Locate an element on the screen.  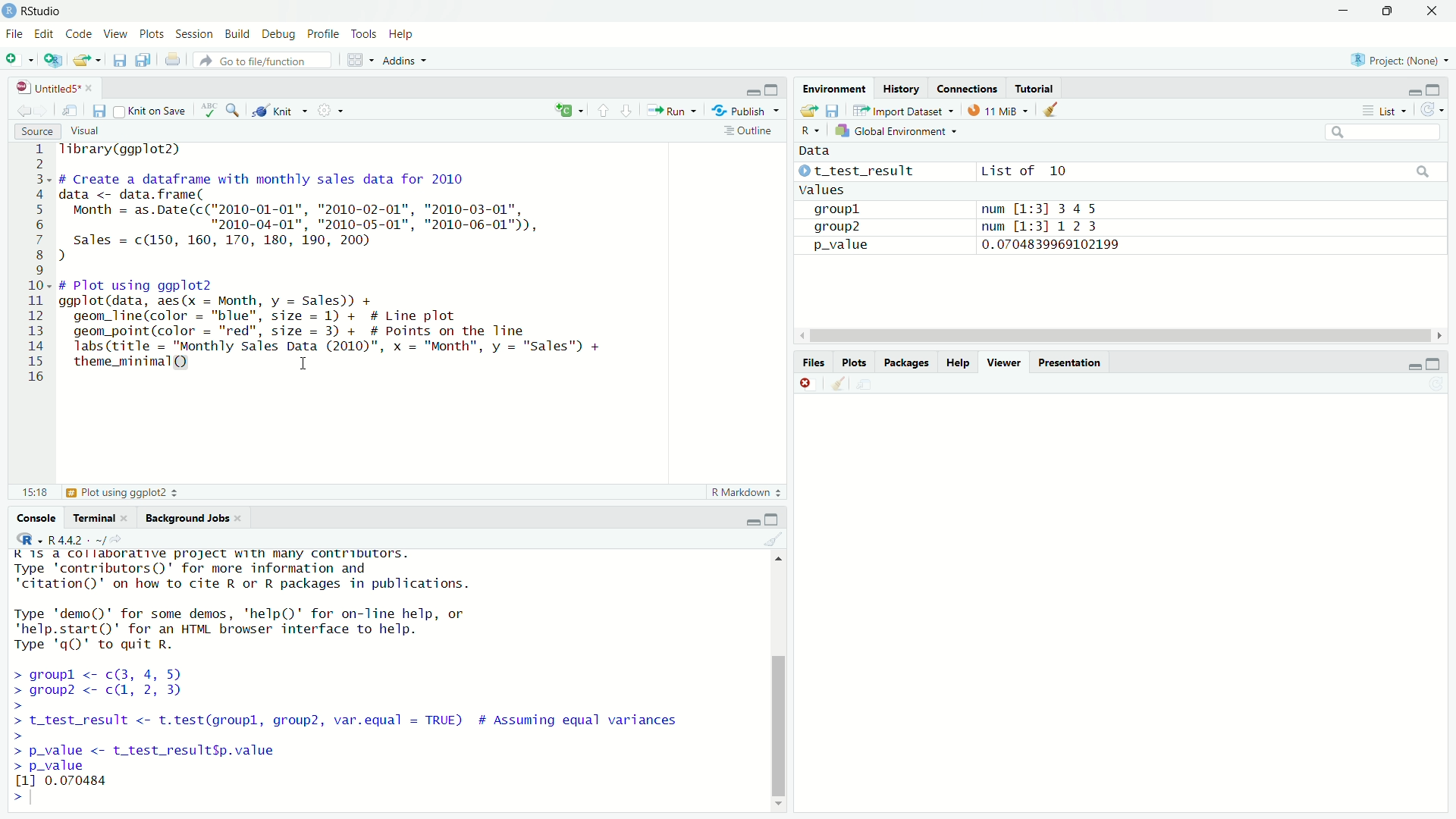
minimise is located at coordinates (749, 89).